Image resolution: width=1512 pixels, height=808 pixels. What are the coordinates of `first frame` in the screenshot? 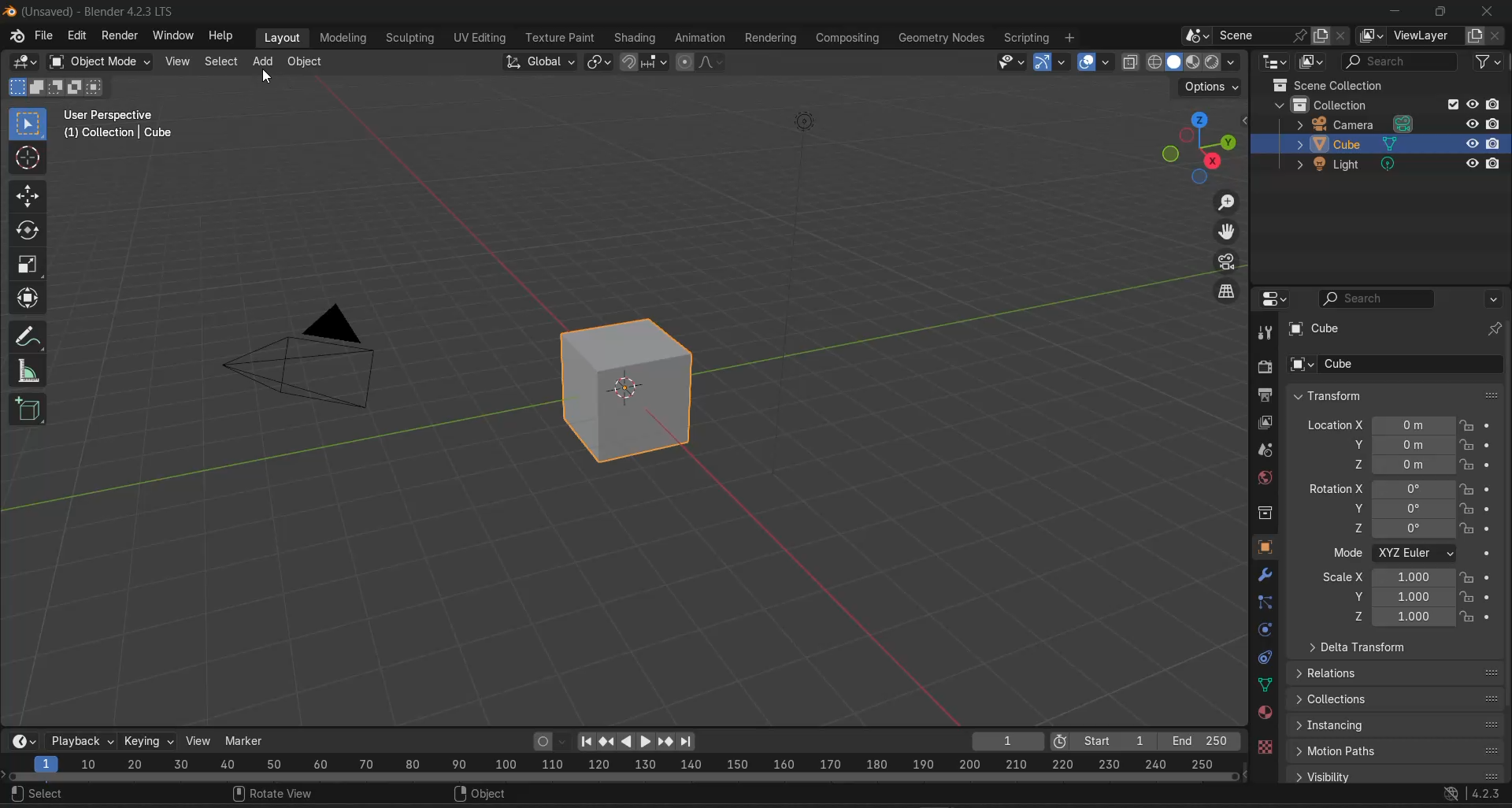 It's located at (1118, 739).